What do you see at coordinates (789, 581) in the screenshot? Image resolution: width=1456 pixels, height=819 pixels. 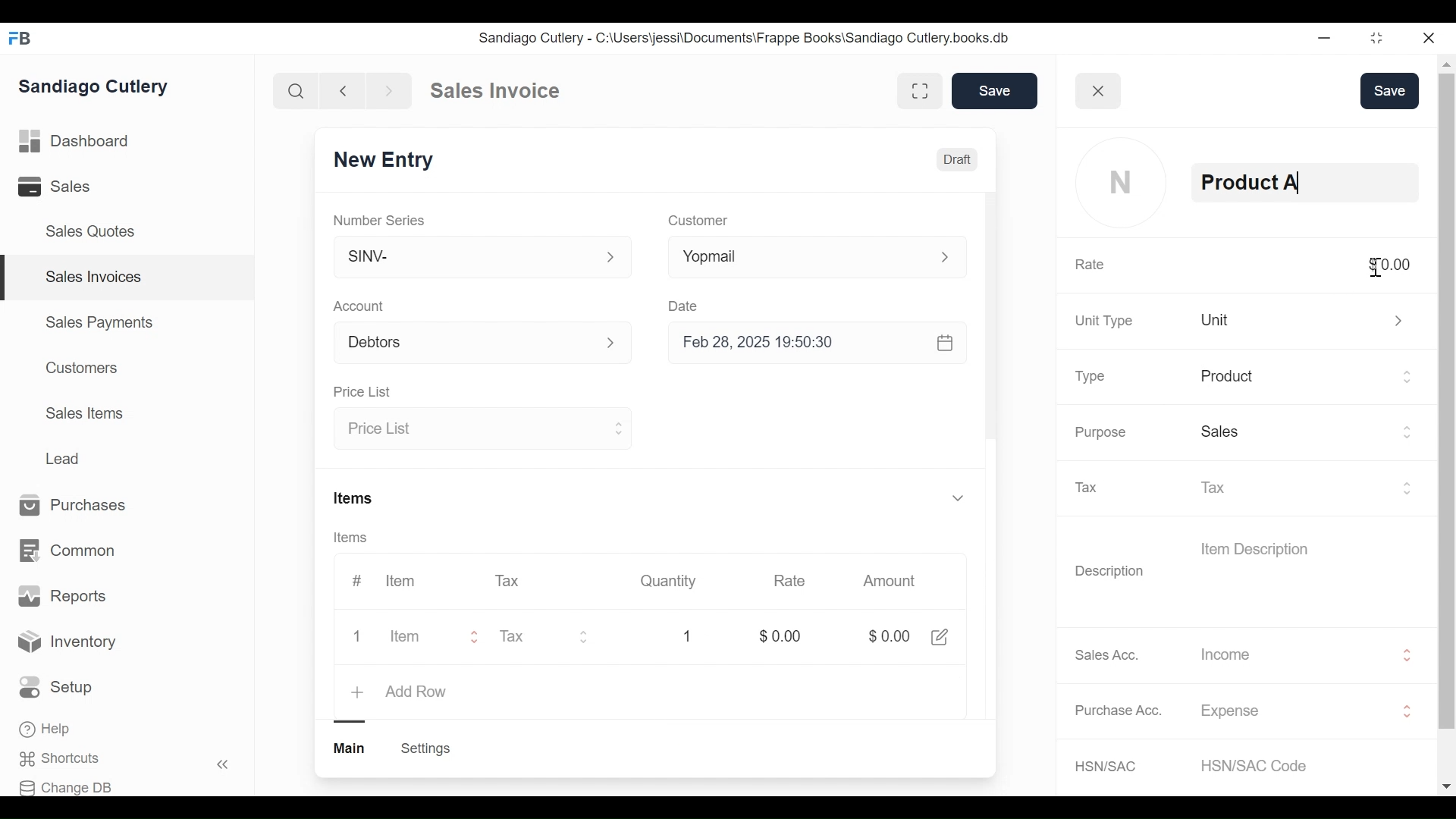 I see `Rate` at bounding box center [789, 581].